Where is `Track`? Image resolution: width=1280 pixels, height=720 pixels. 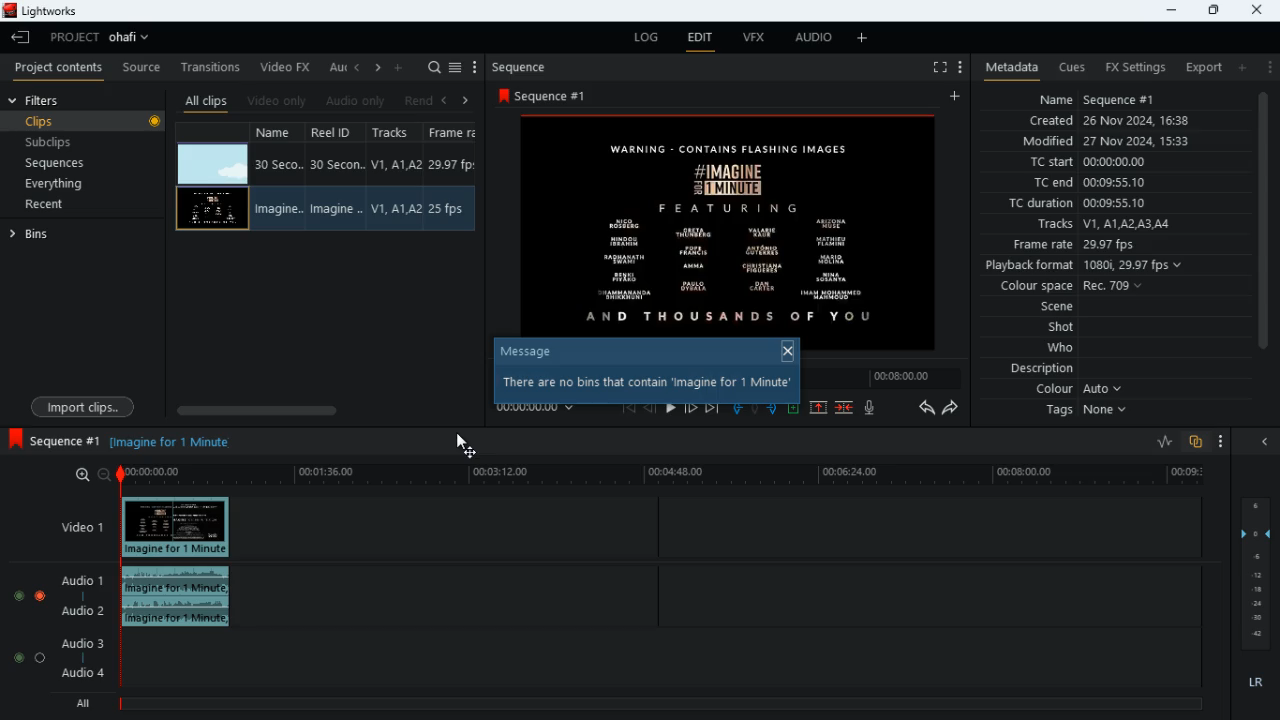
Track is located at coordinates (398, 164).